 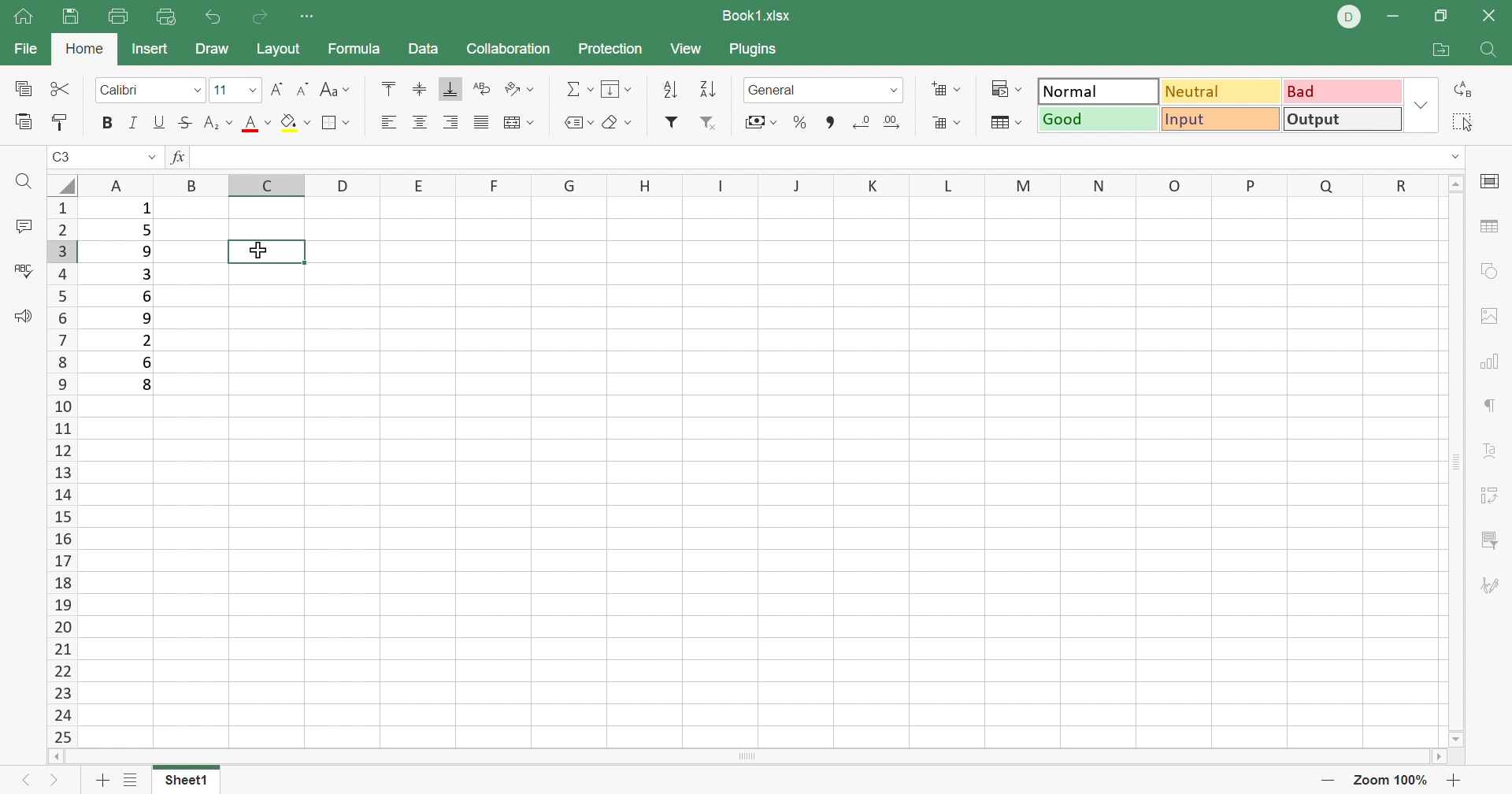 What do you see at coordinates (947, 88) in the screenshot?
I see `Insert ` at bounding box center [947, 88].